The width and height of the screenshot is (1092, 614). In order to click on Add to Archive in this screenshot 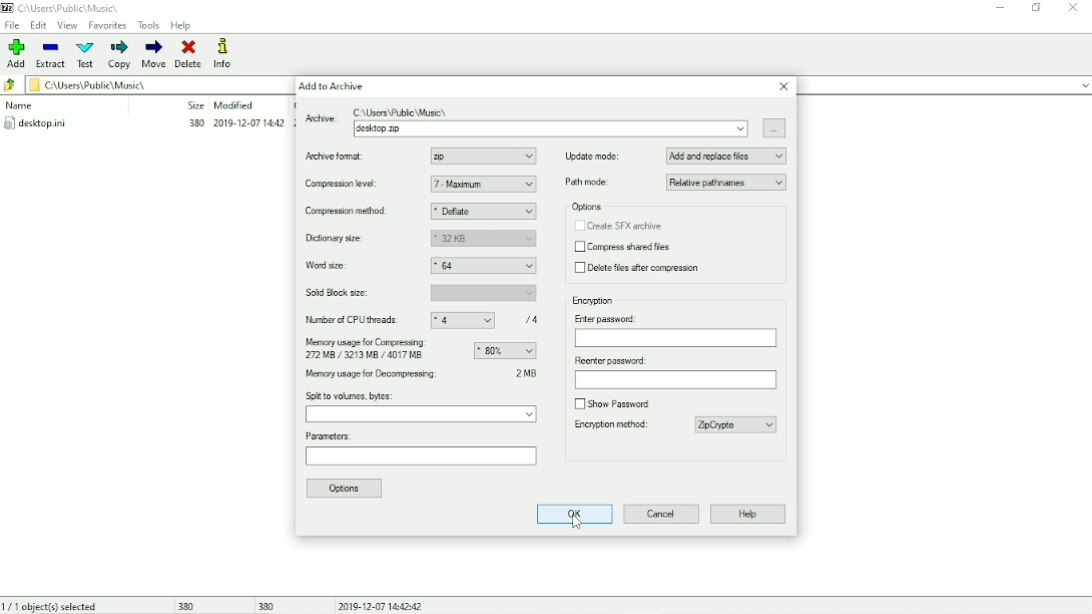, I will do `click(331, 86)`.